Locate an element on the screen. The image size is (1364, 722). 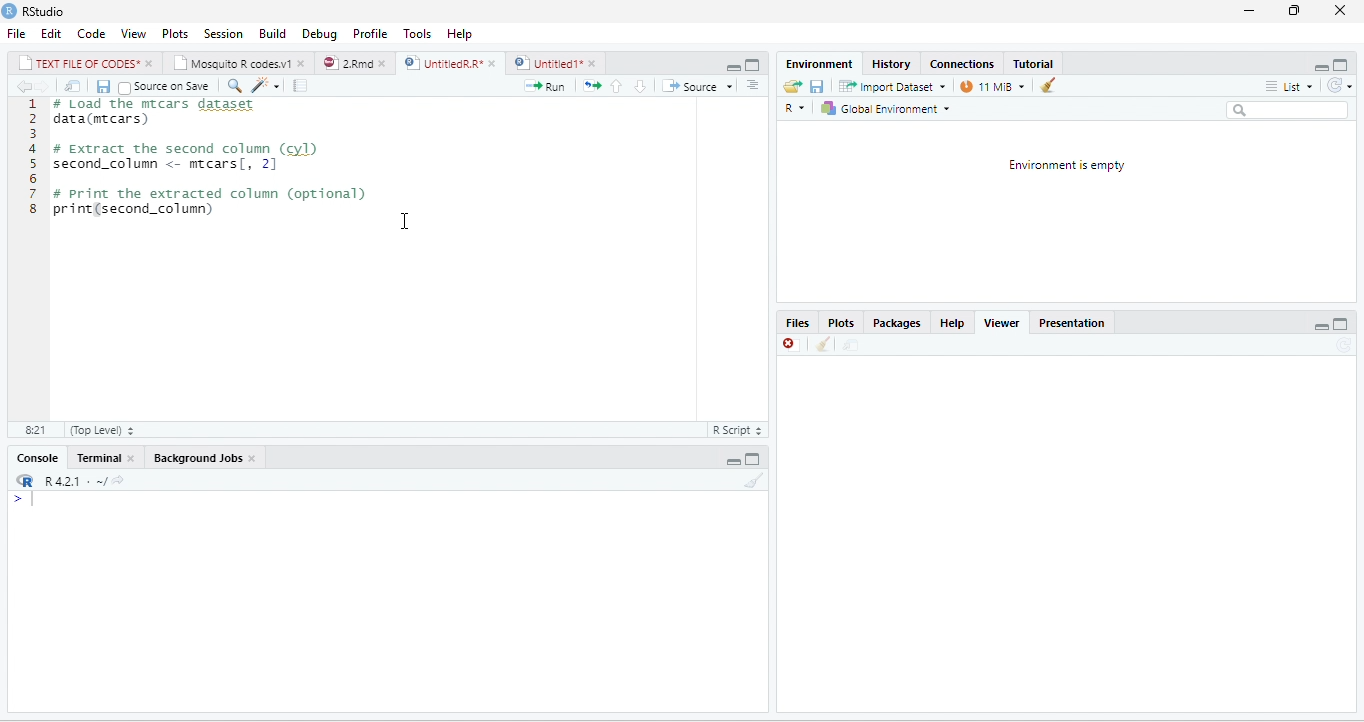
minimize is located at coordinates (754, 64).